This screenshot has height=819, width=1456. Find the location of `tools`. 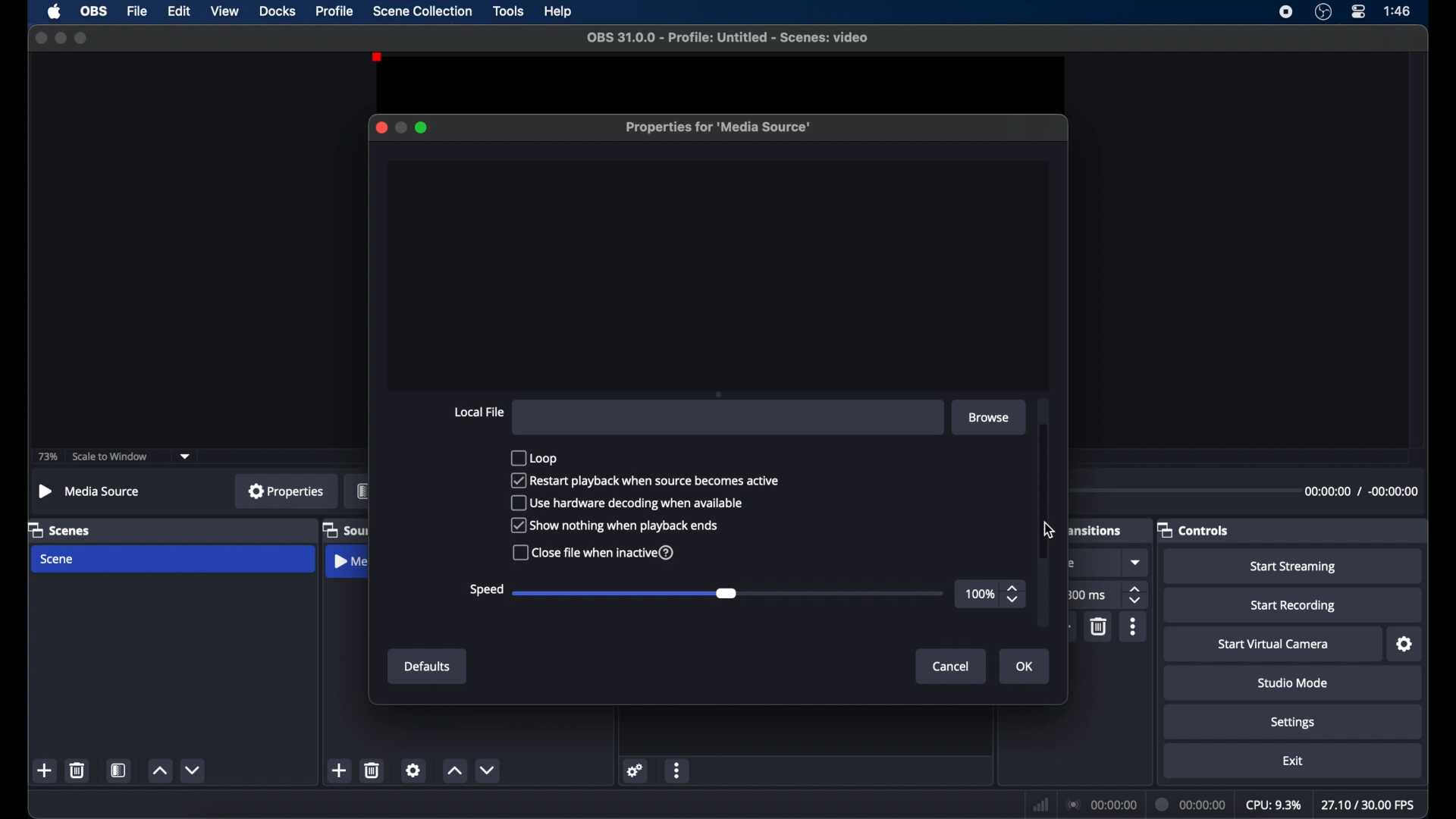

tools is located at coordinates (510, 10).